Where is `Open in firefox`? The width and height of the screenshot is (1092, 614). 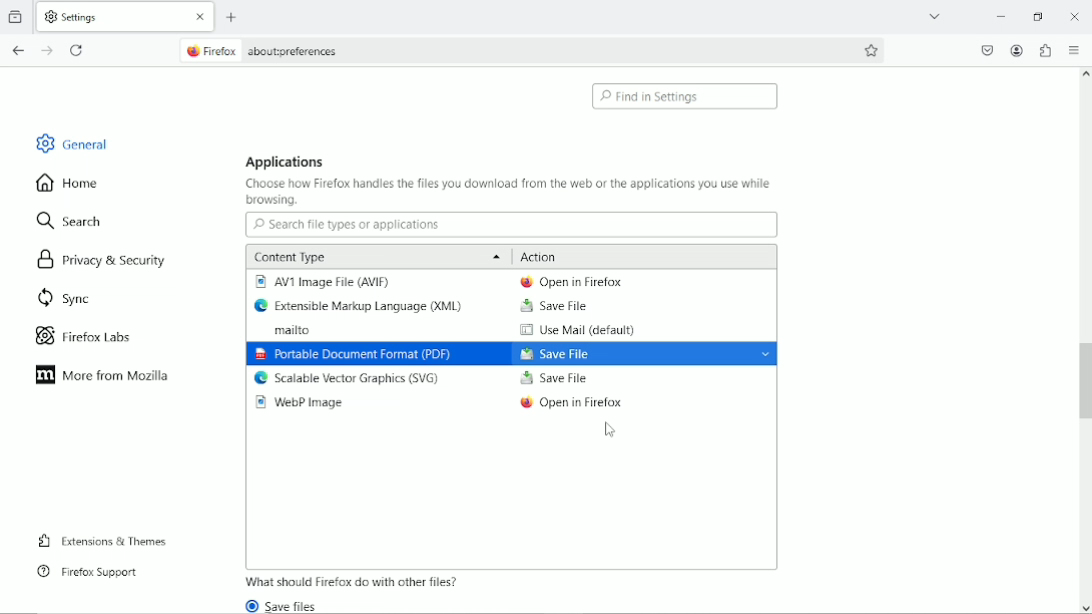
Open in firefox is located at coordinates (570, 281).